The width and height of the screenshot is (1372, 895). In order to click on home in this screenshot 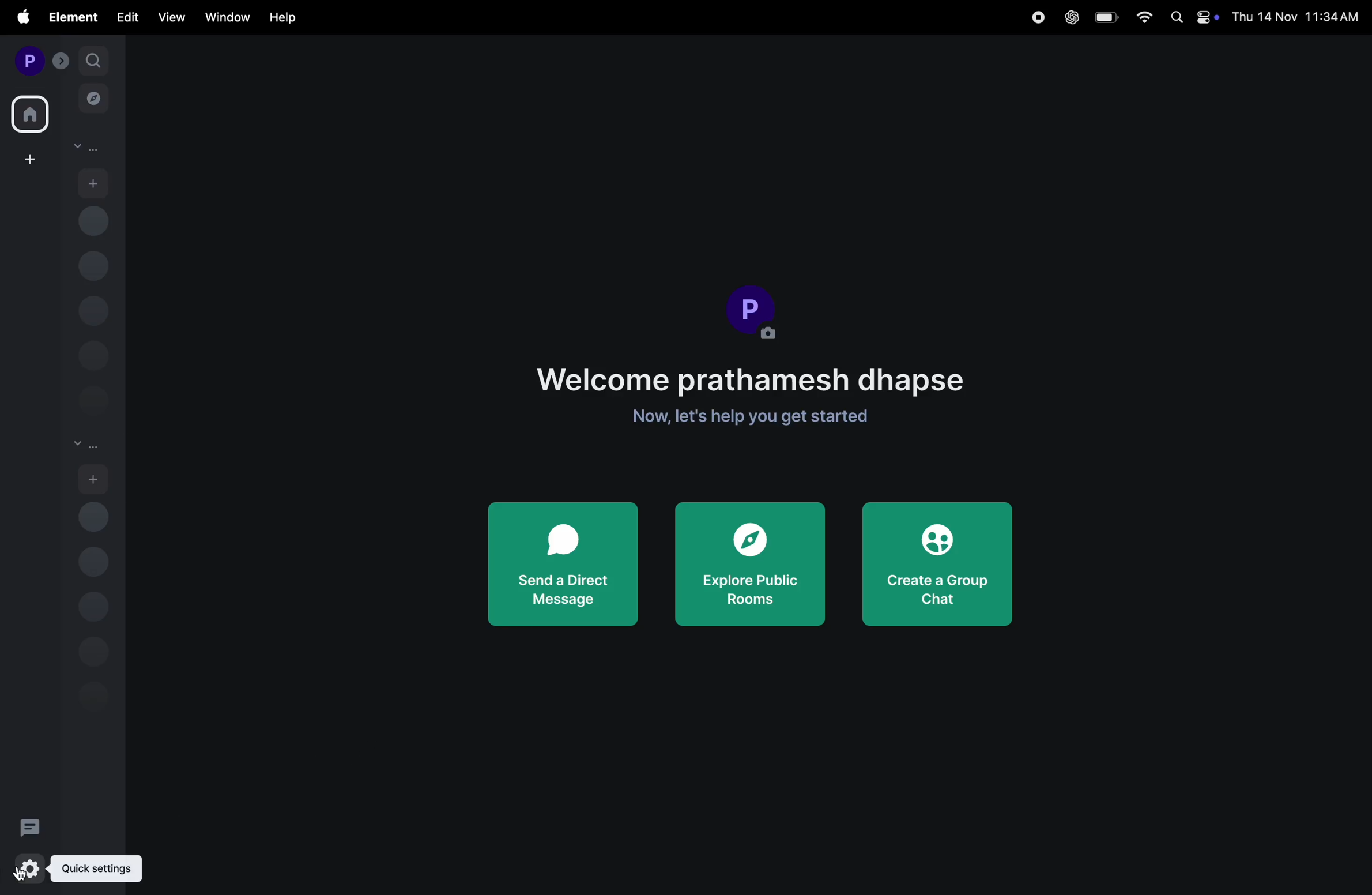, I will do `click(31, 111)`.